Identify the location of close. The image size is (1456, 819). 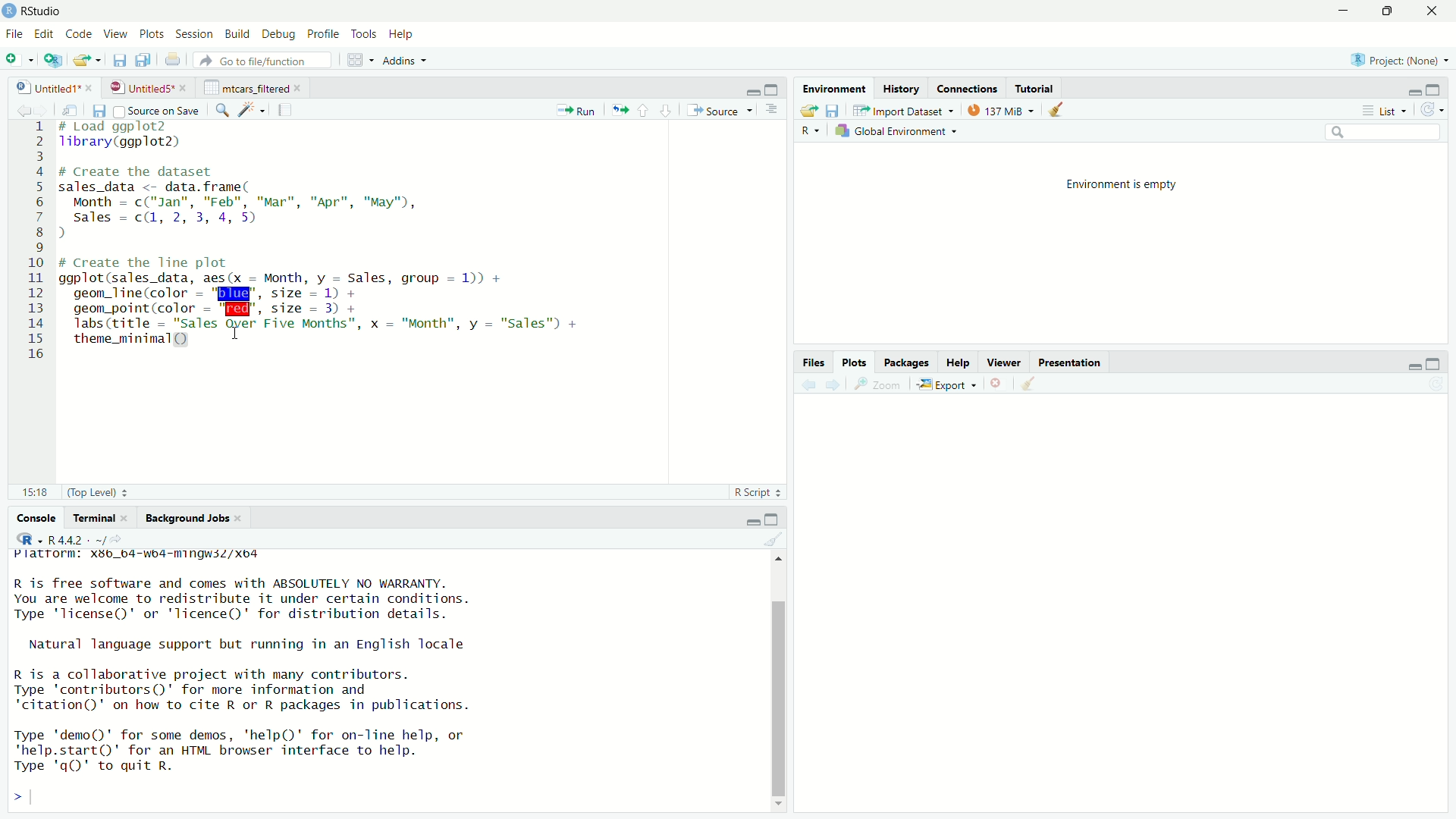
(1435, 11).